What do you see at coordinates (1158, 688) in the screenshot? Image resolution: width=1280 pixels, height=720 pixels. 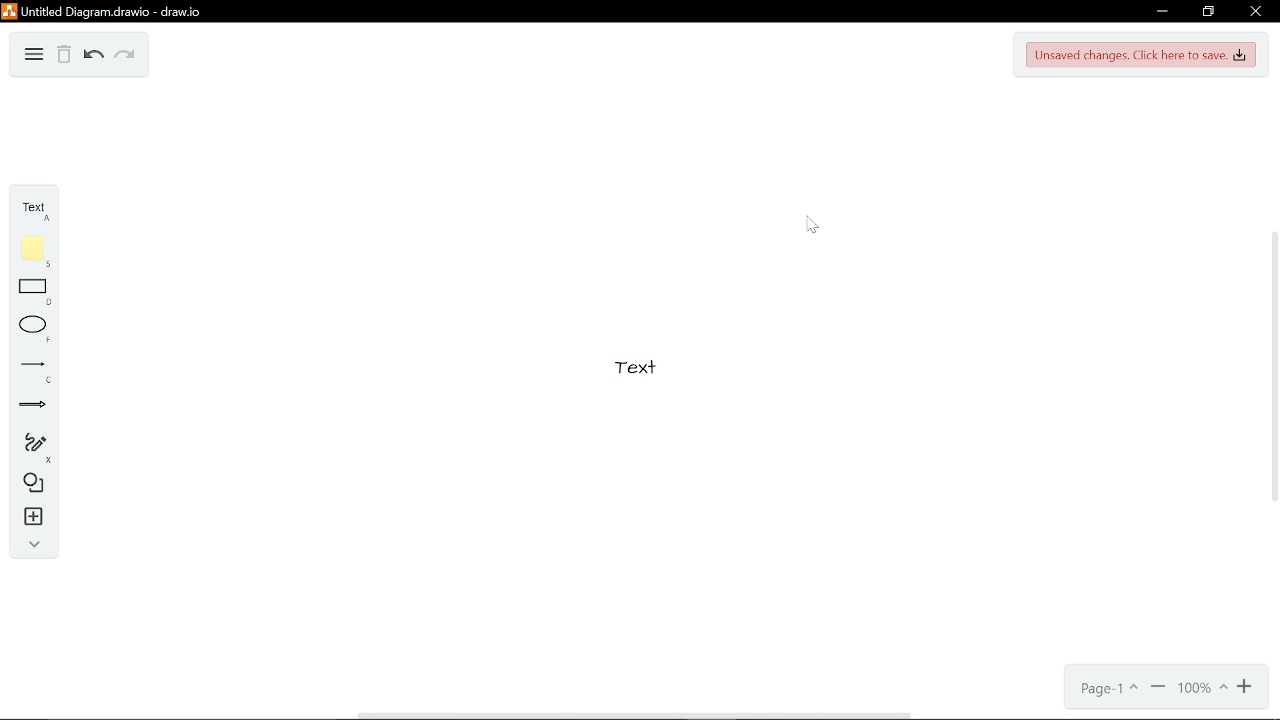 I see `Zoom out` at bounding box center [1158, 688].